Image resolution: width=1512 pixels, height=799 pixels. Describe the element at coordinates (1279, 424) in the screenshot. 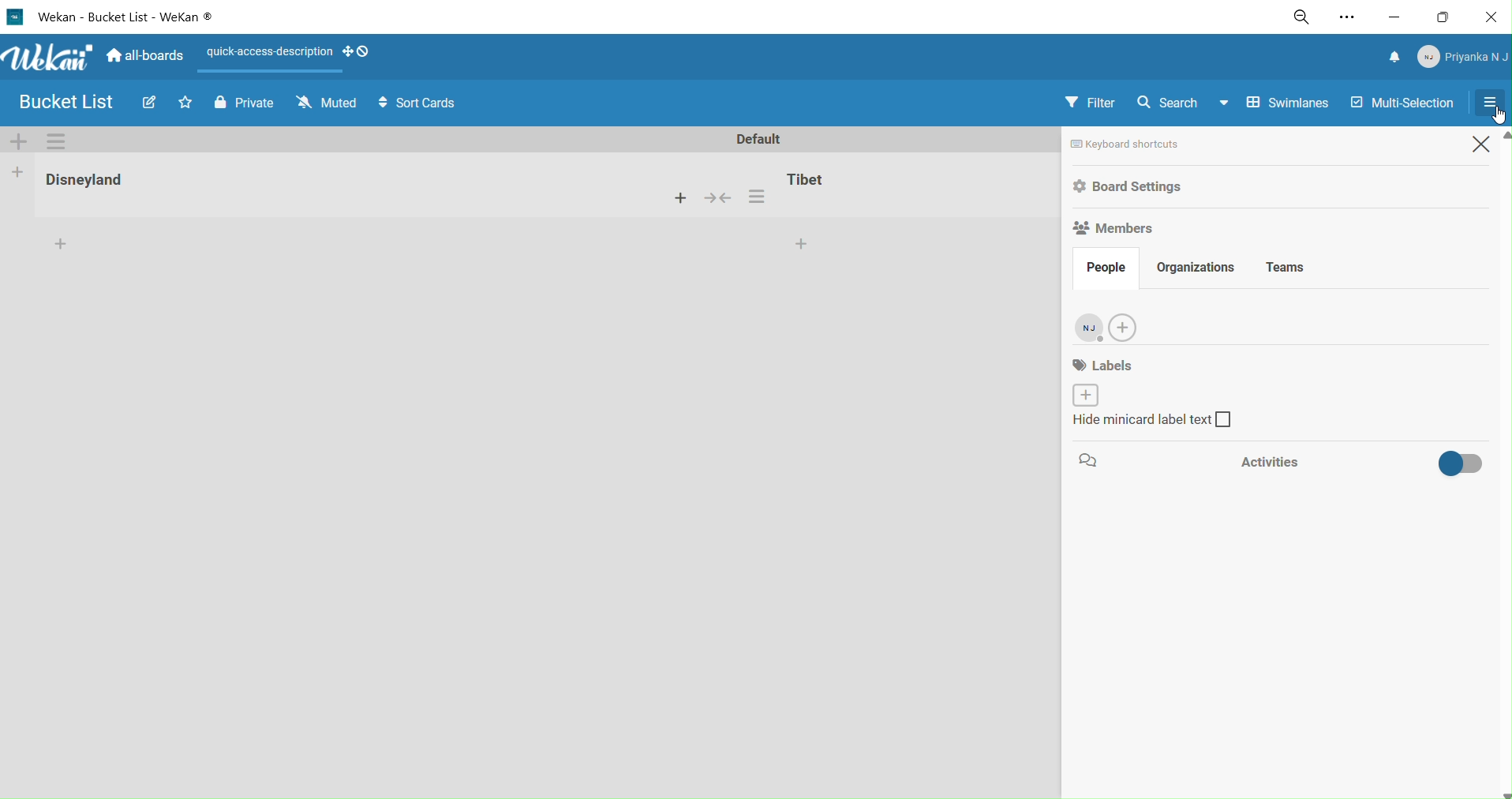

I see `hide minicard label text` at that location.